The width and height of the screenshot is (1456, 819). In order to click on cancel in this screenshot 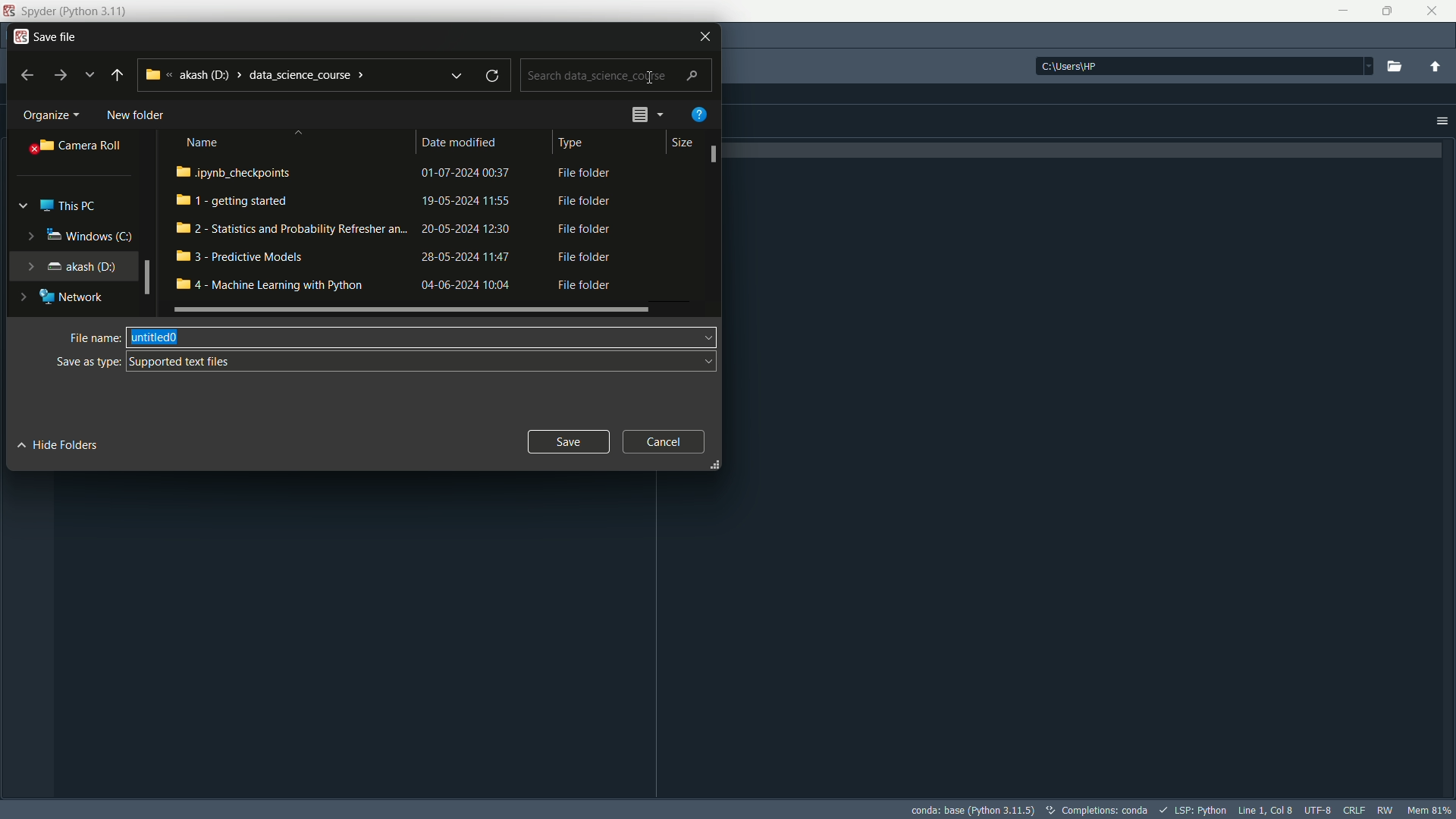, I will do `click(659, 441)`.